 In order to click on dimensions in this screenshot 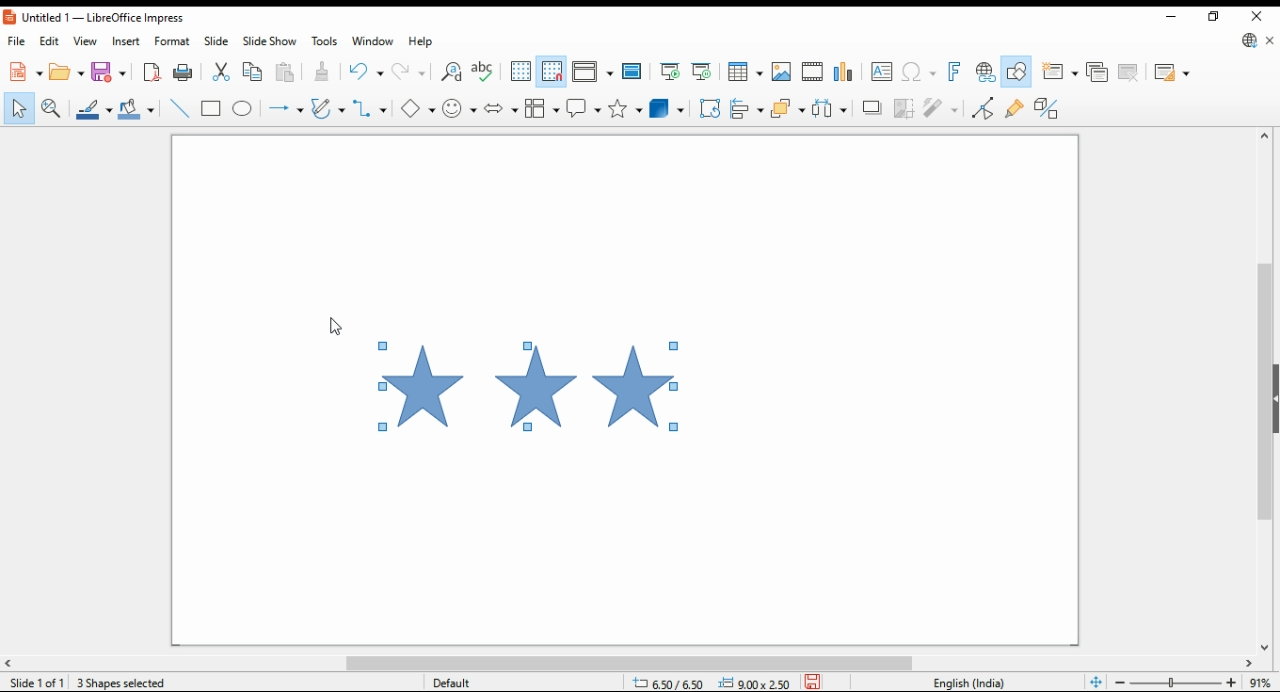, I will do `click(710, 681)`.